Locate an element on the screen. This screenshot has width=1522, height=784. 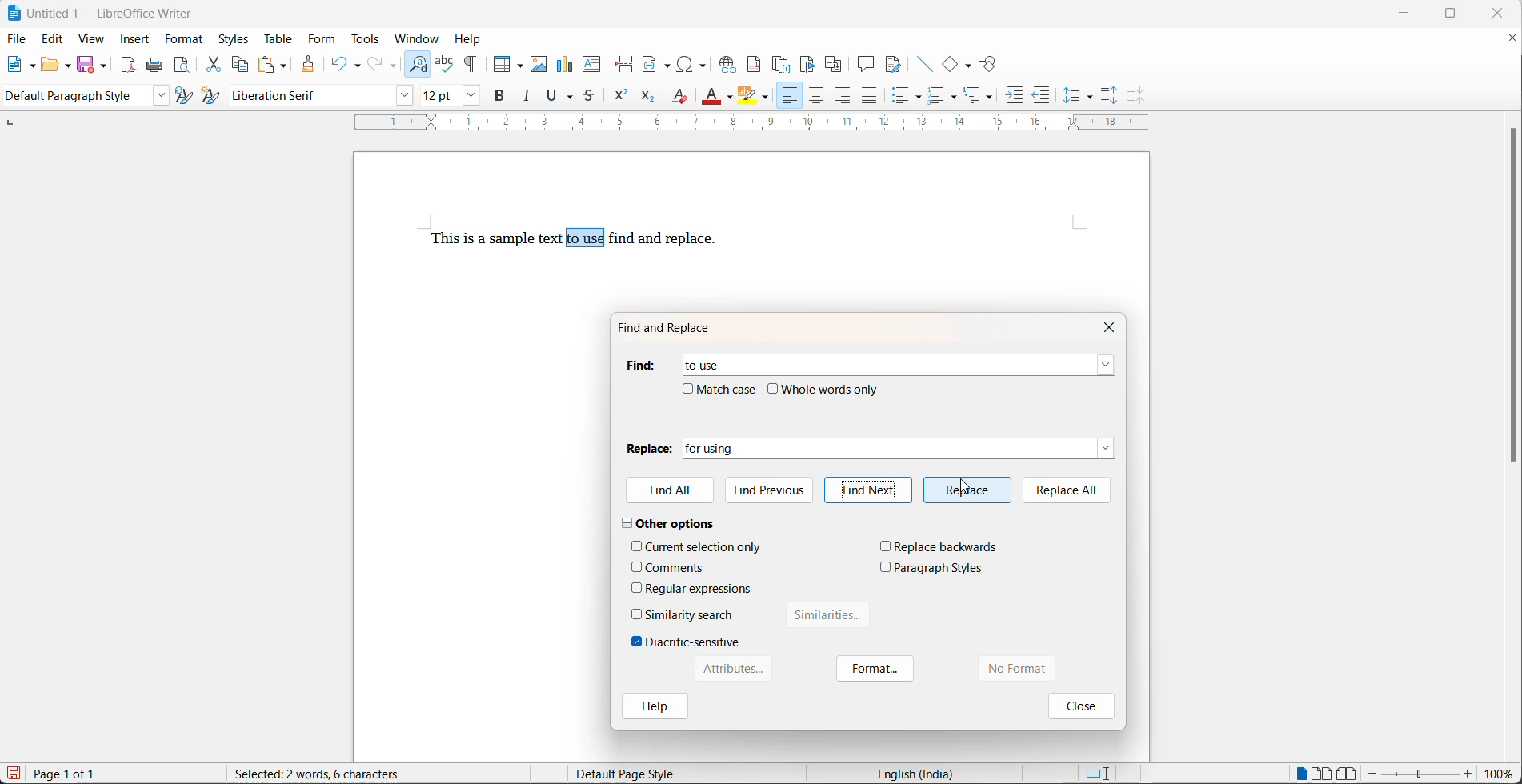
bold is located at coordinates (501, 98).